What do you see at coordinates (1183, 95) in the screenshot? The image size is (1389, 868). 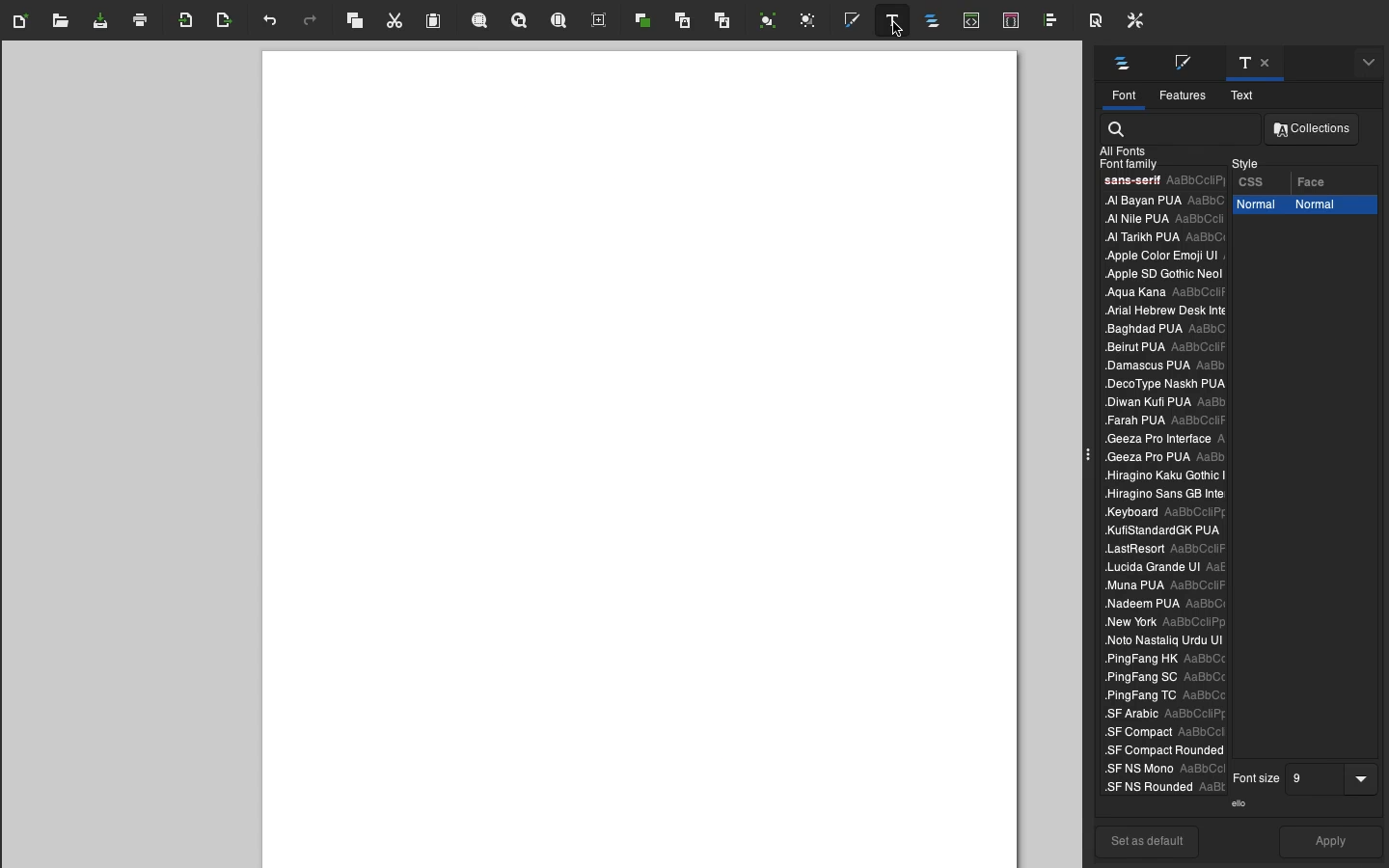 I see `Features` at bounding box center [1183, 95].